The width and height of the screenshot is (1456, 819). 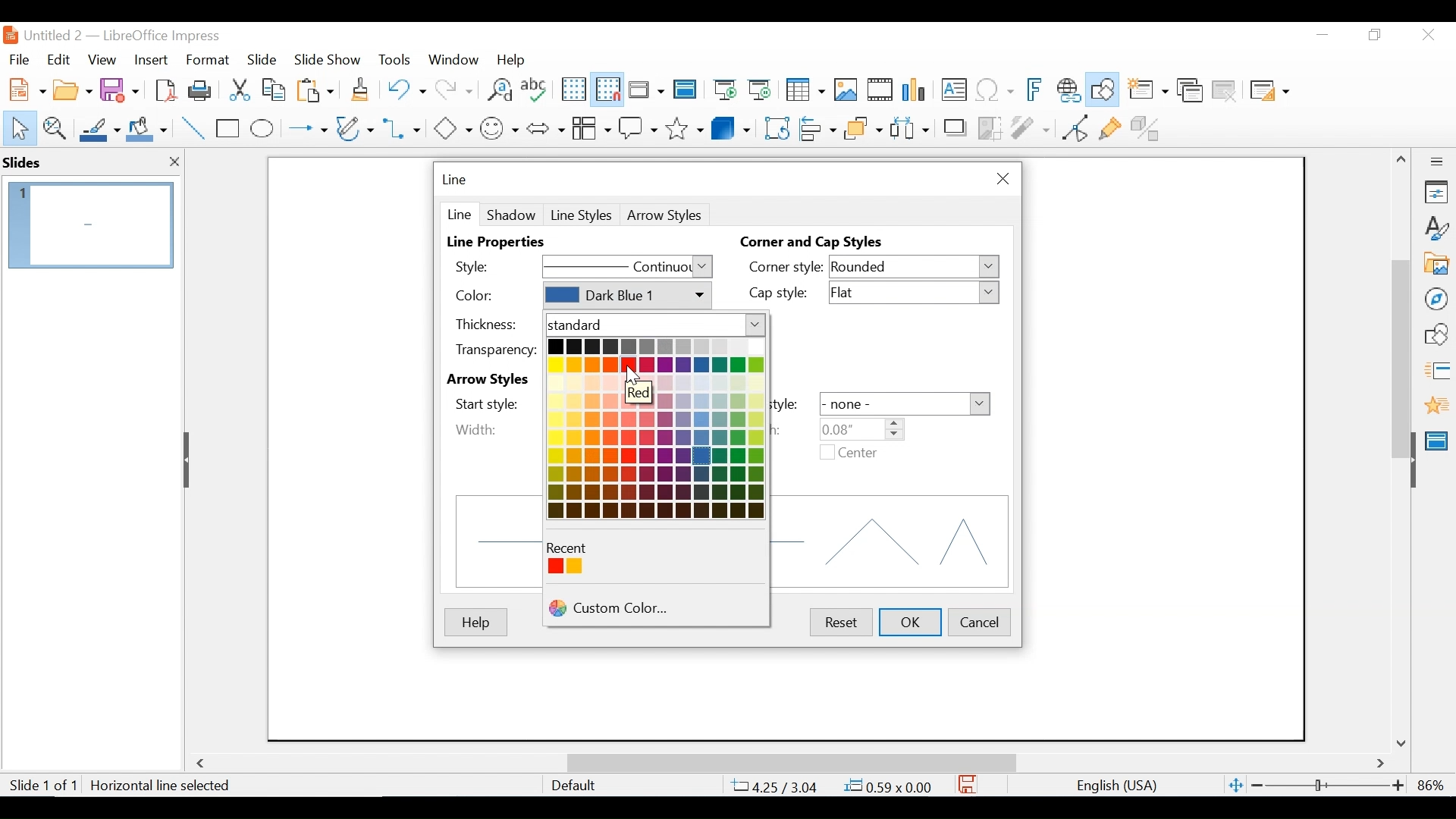 I want to click on Scroll down, so click(x=1404, y=742).